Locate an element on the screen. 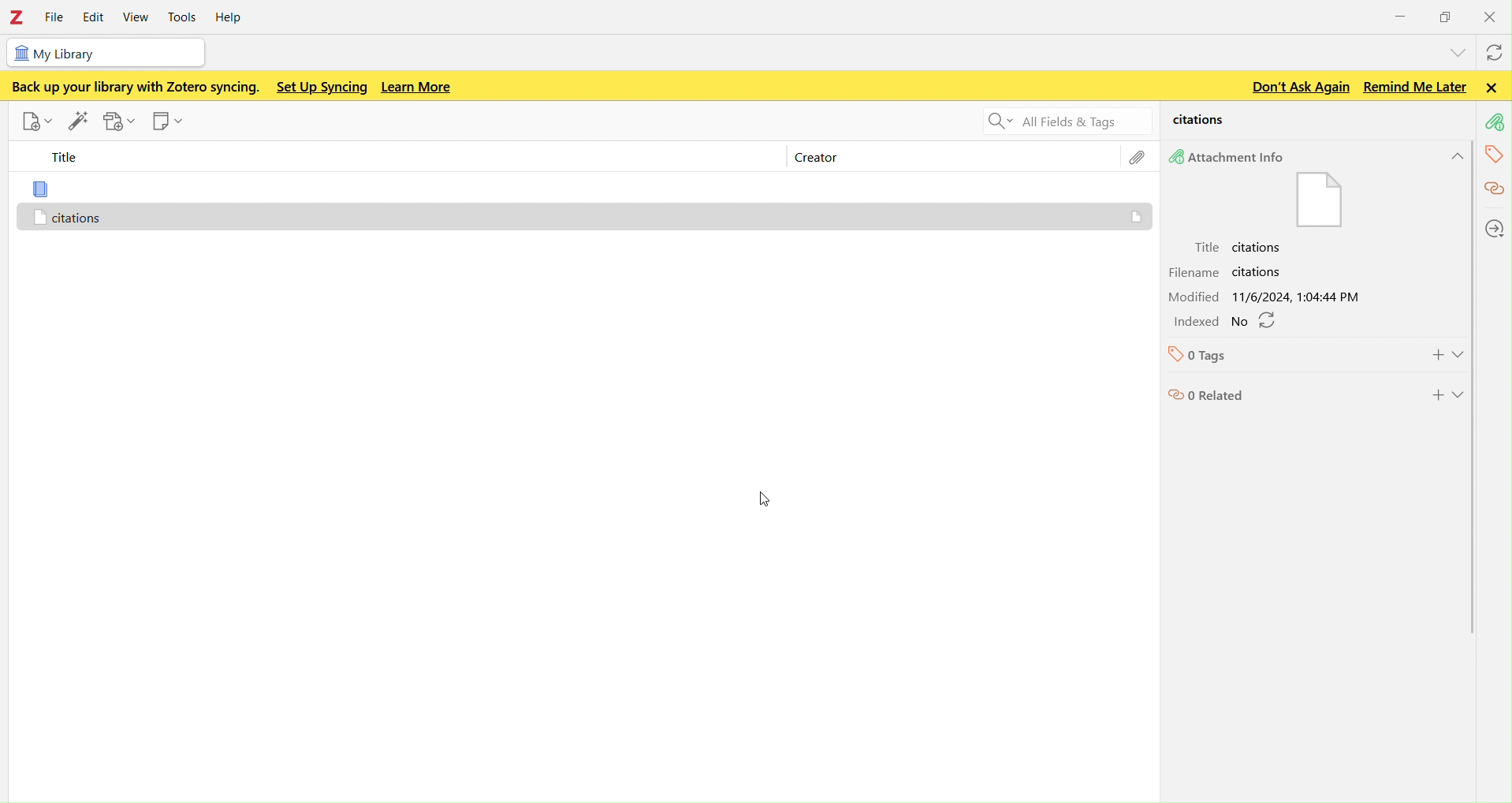 The width and height of the screenshot is (1512, 803). tags is located at coordinates (1501, 154).